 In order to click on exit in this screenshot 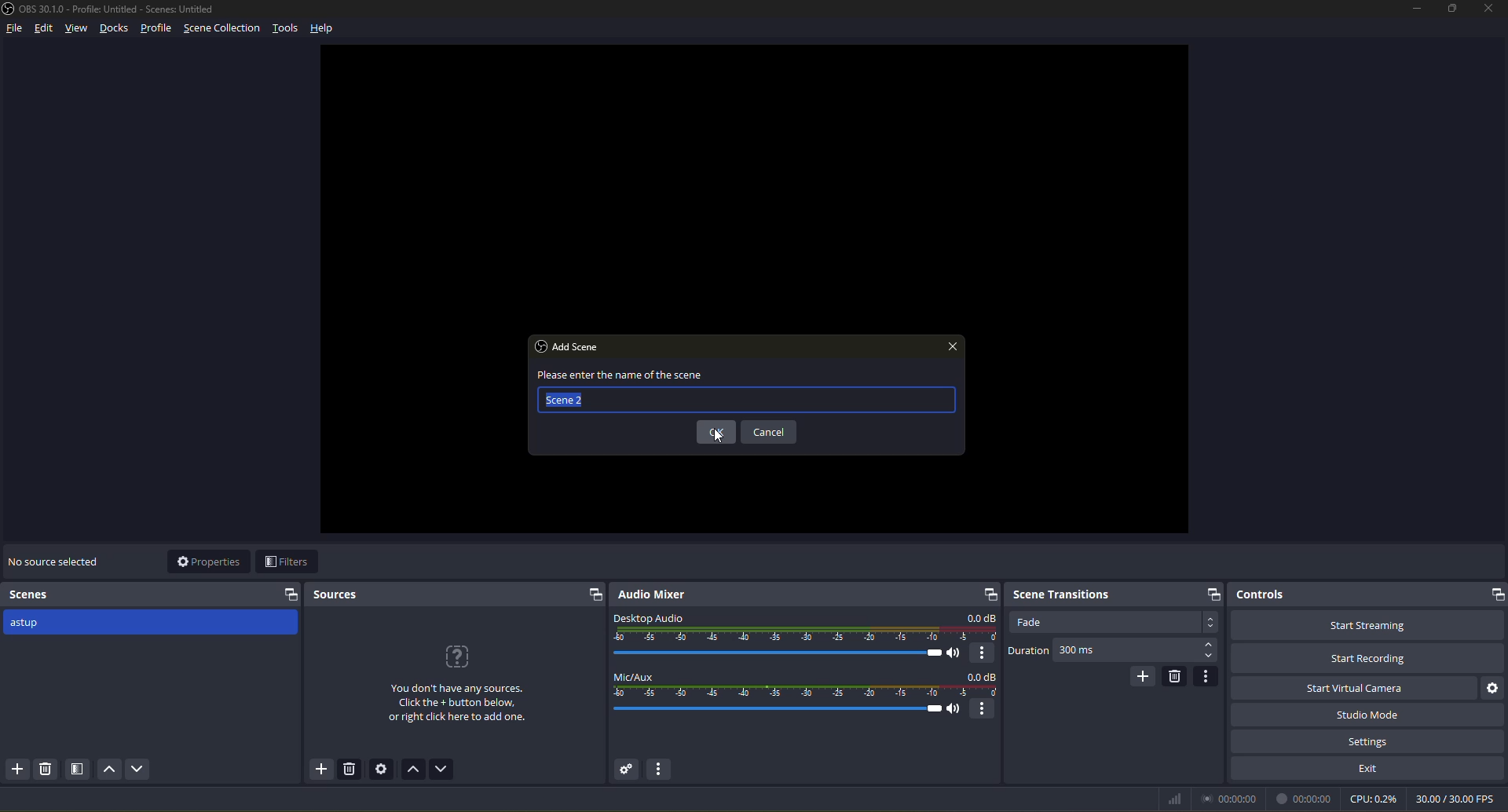, I will do `click(1370, 768)`.